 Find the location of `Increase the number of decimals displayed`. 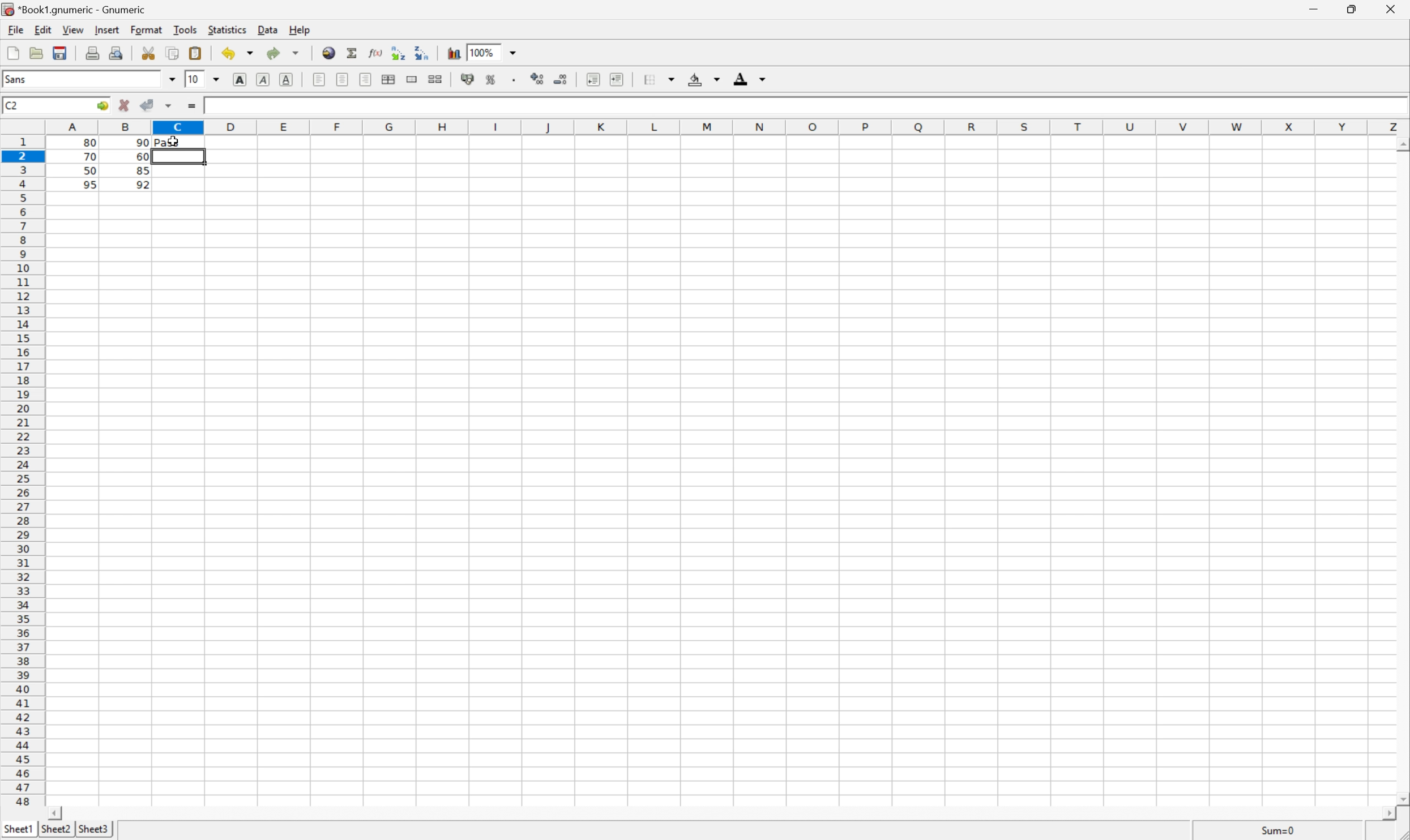

Increase the number of decimals displayed is located at coordinates (539, 79).